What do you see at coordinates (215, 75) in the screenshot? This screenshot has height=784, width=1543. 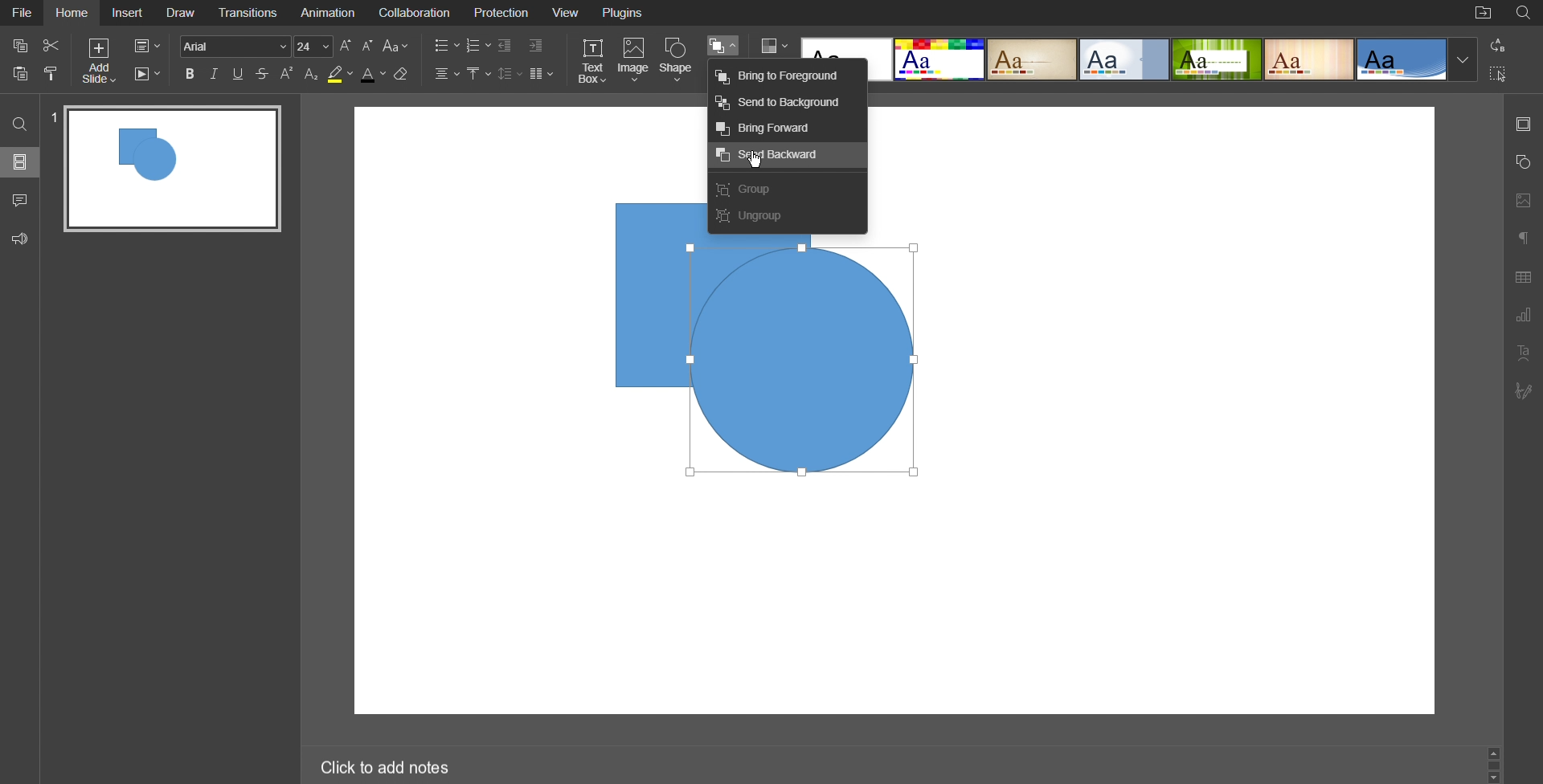 I see `Italic` at bounding box center [215, 75].